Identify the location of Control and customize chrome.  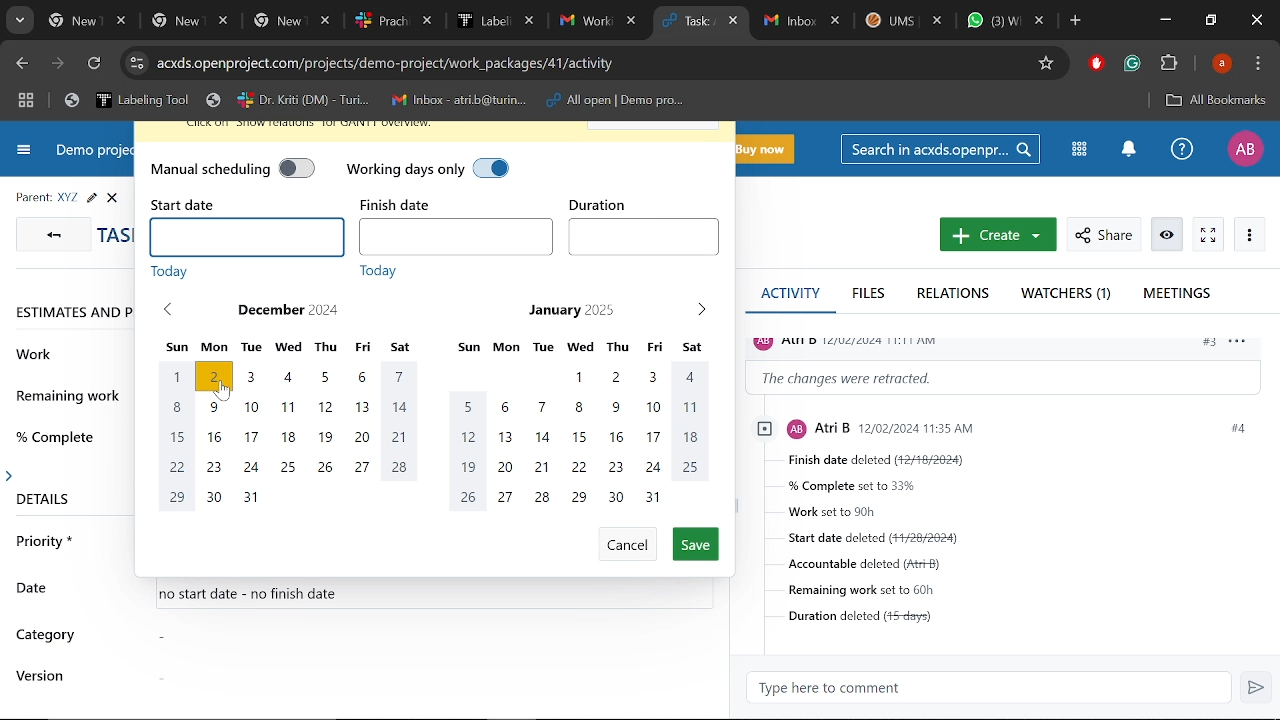
(1260, 64).